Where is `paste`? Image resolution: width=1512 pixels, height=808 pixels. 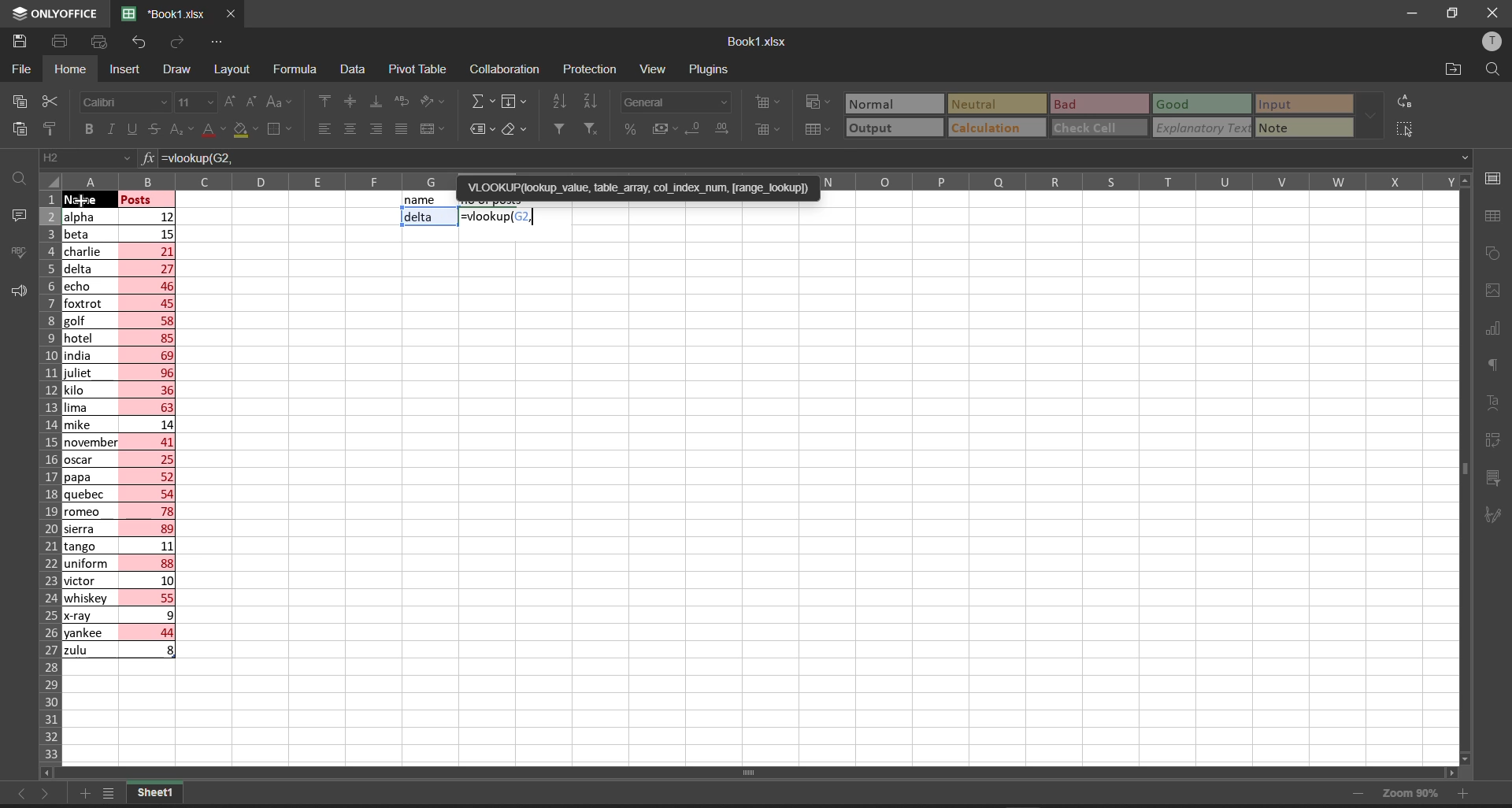
paste is located at coordinates (16, 128).